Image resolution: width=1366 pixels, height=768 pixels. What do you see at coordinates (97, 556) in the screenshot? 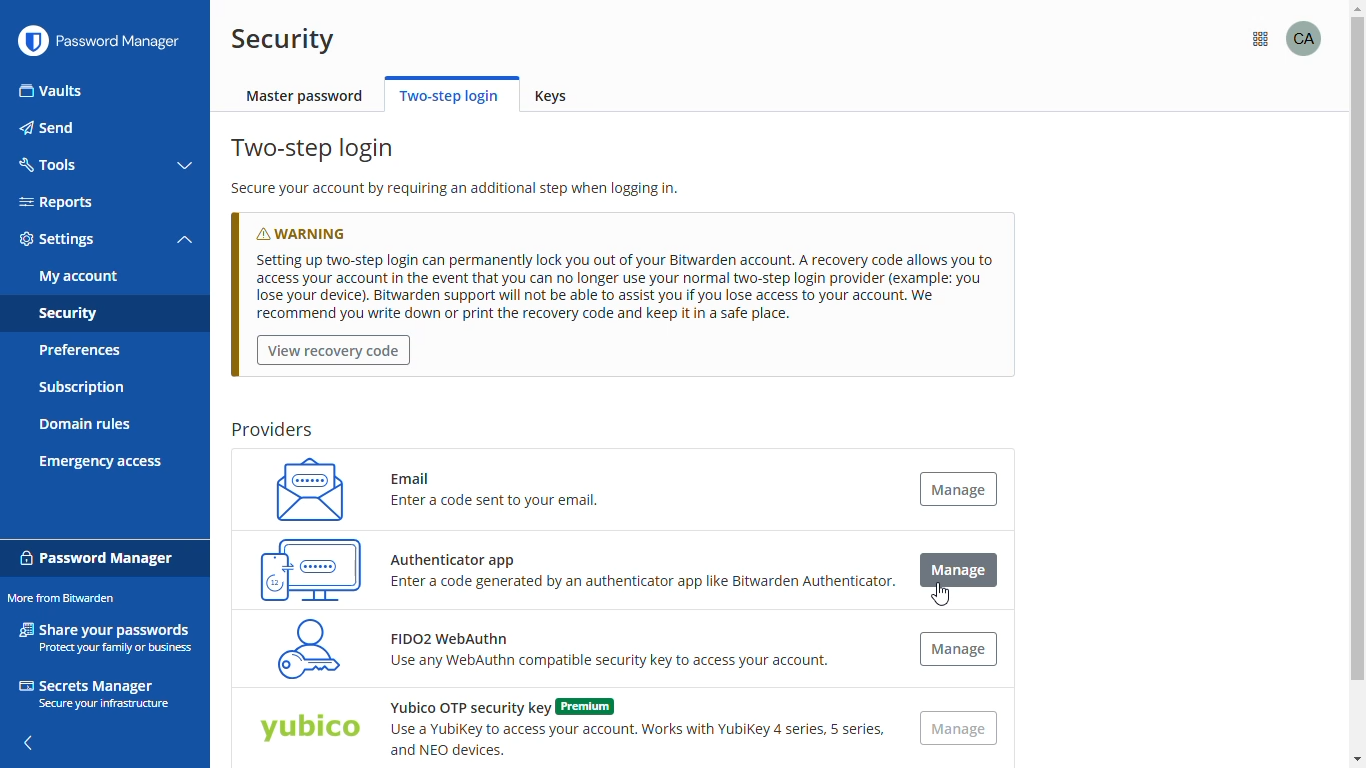
I see `password manager` at bounding box center [97, 556].